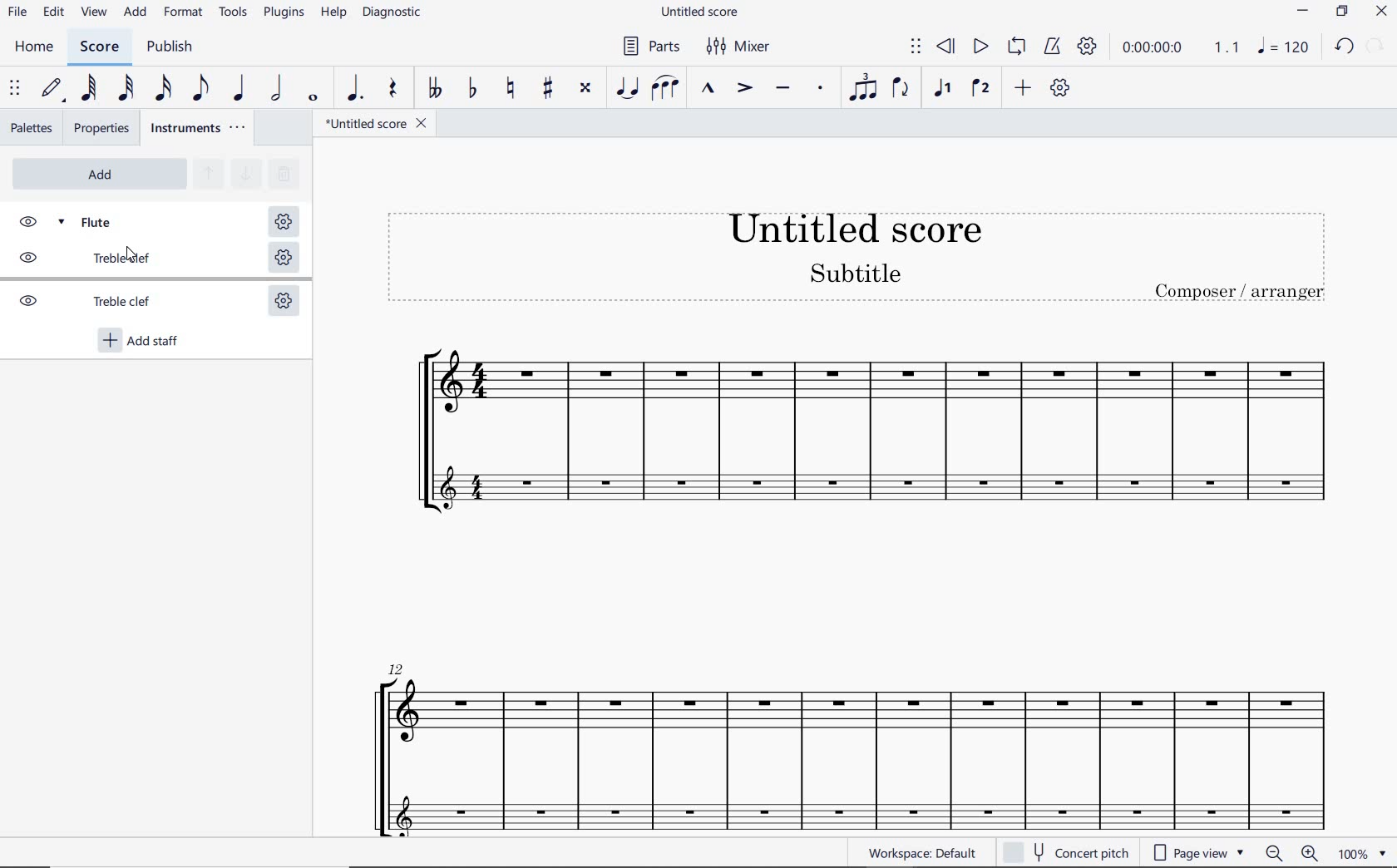  Describe the element at coordinates (102, 261) in the screenshot. I see `TREBLE CLEF` at that location.